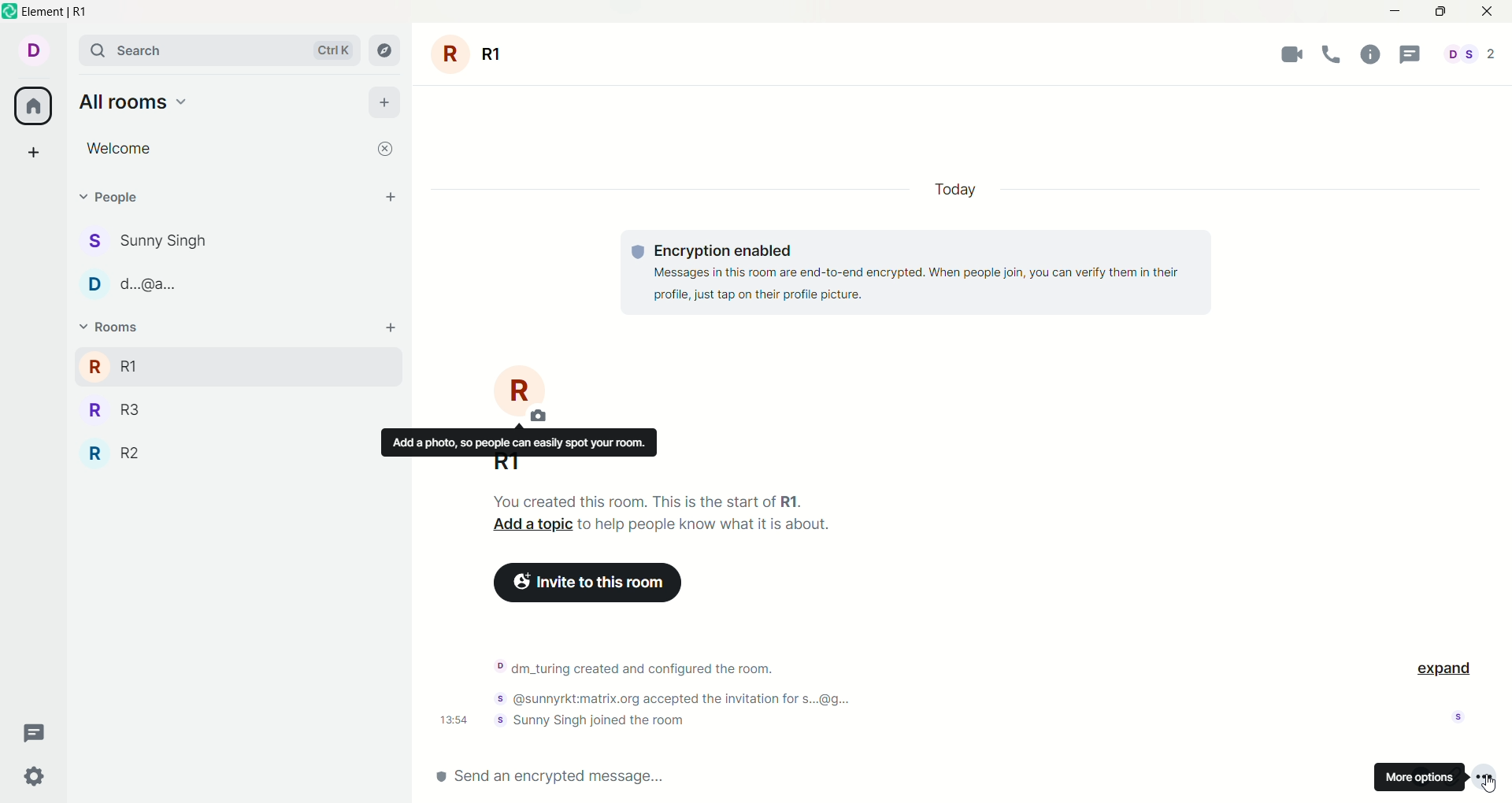  I want to click on Text, so click(648, 501).